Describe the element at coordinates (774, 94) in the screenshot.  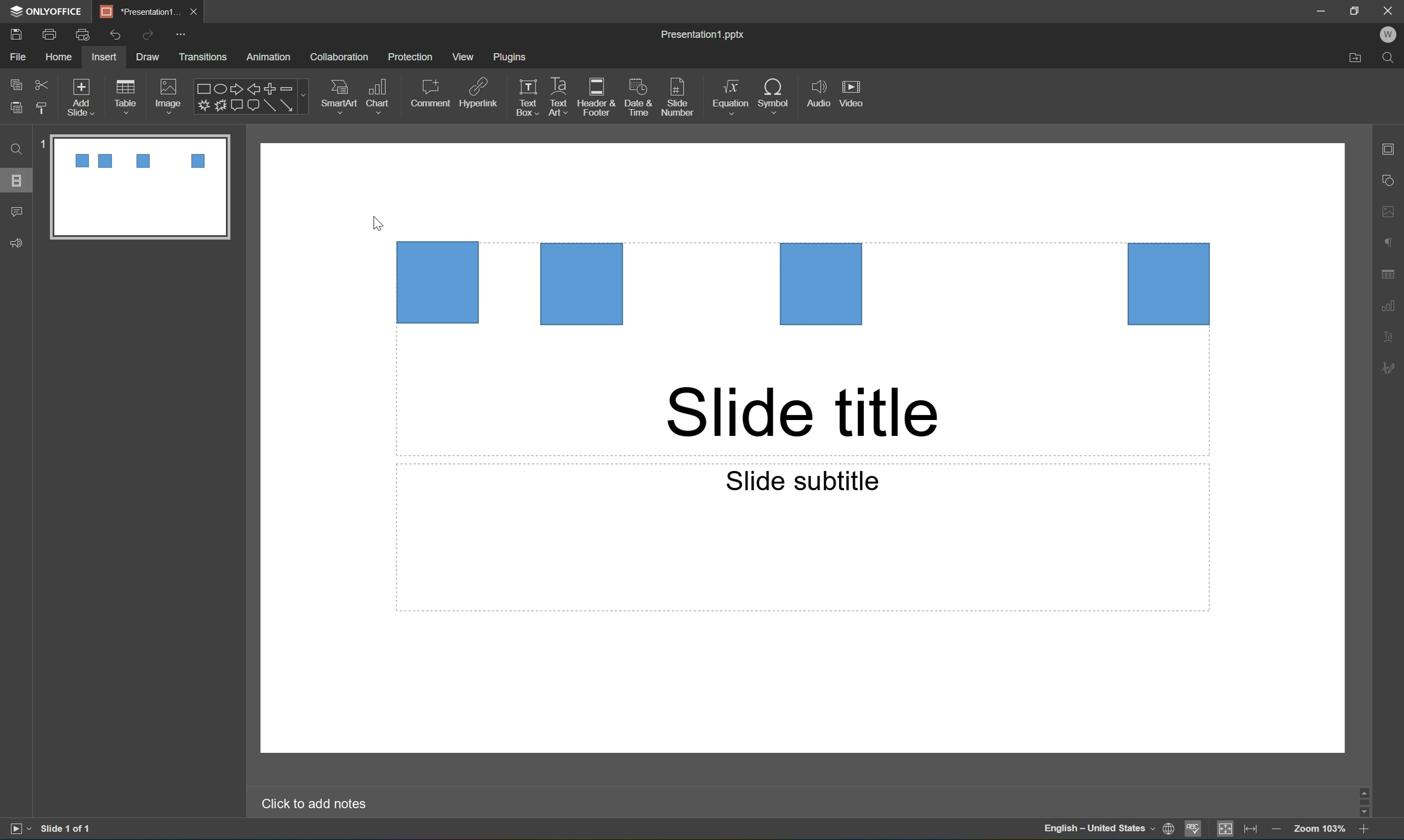
I see `symbol` at that location.